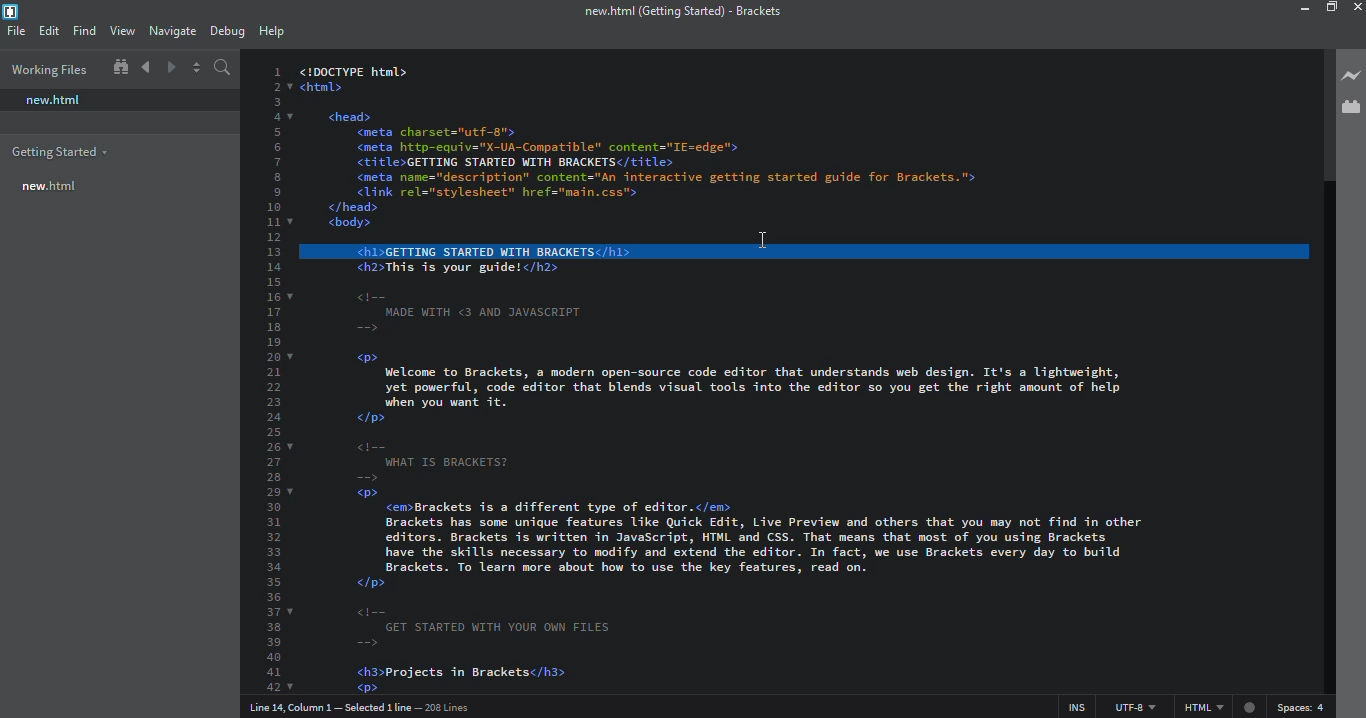 The image size is (1366, 718). Describe the element at coordinates (195, 67) in the screenshot. I see `split editor` at that location.